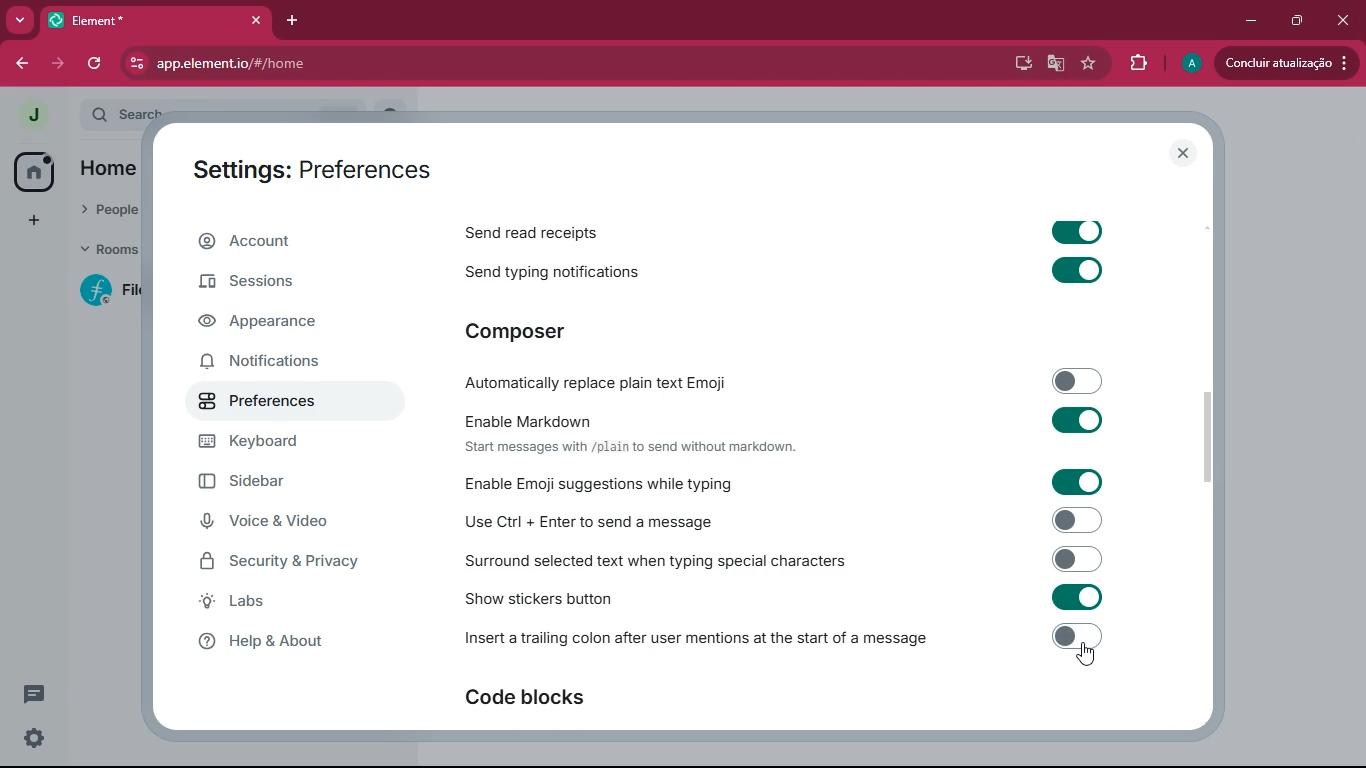 This screenshot has height=768, width=1366. What do you see at coordinates (318, 168) in the screenshot?
I see `Settings: Preferences` at bounding box center [318, 168].